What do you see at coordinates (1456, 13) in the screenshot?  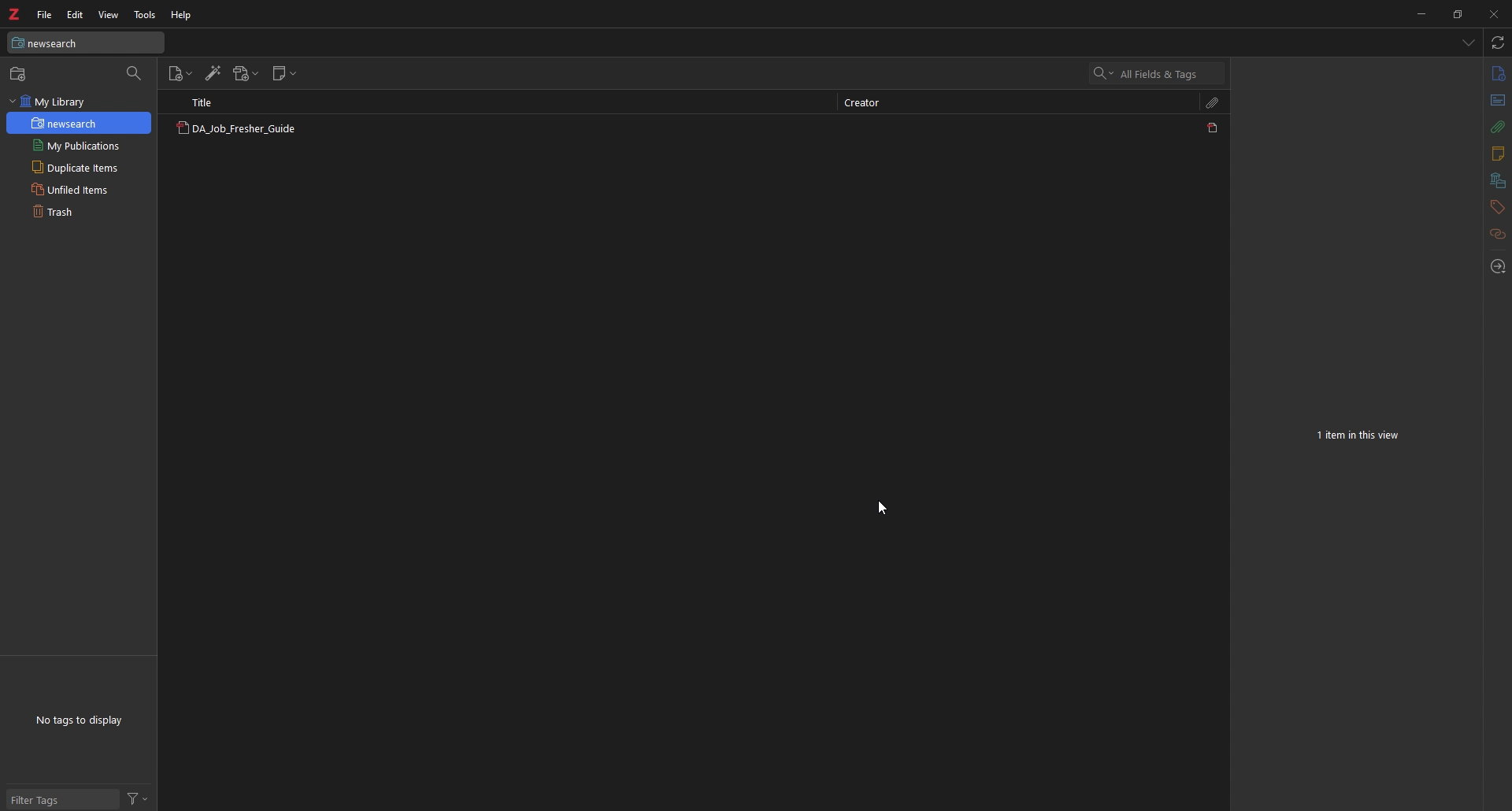 I see `resize` at bounding box center [1456, 13].